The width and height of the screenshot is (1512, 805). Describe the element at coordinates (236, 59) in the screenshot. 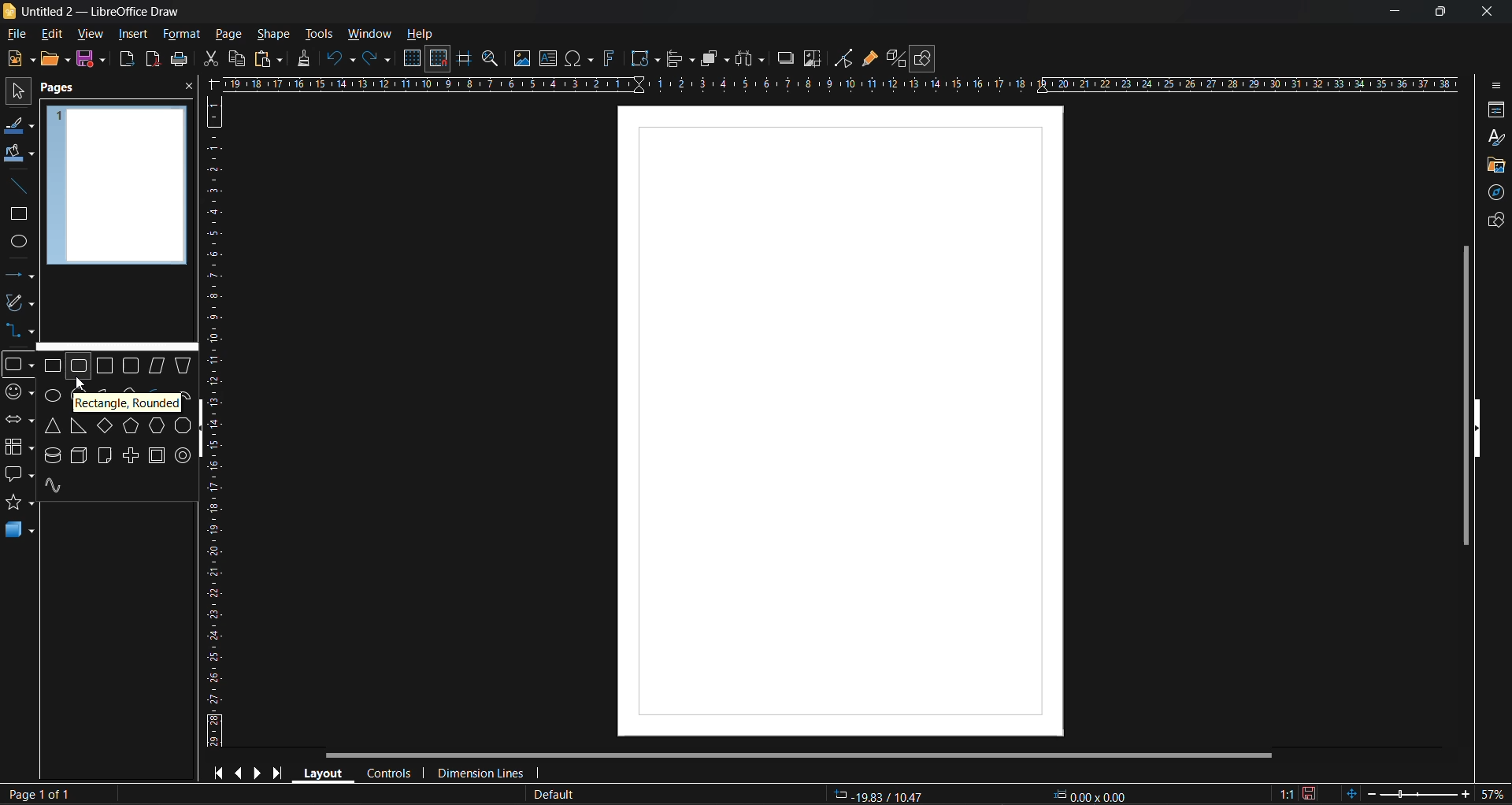

I see `copy` at that location.